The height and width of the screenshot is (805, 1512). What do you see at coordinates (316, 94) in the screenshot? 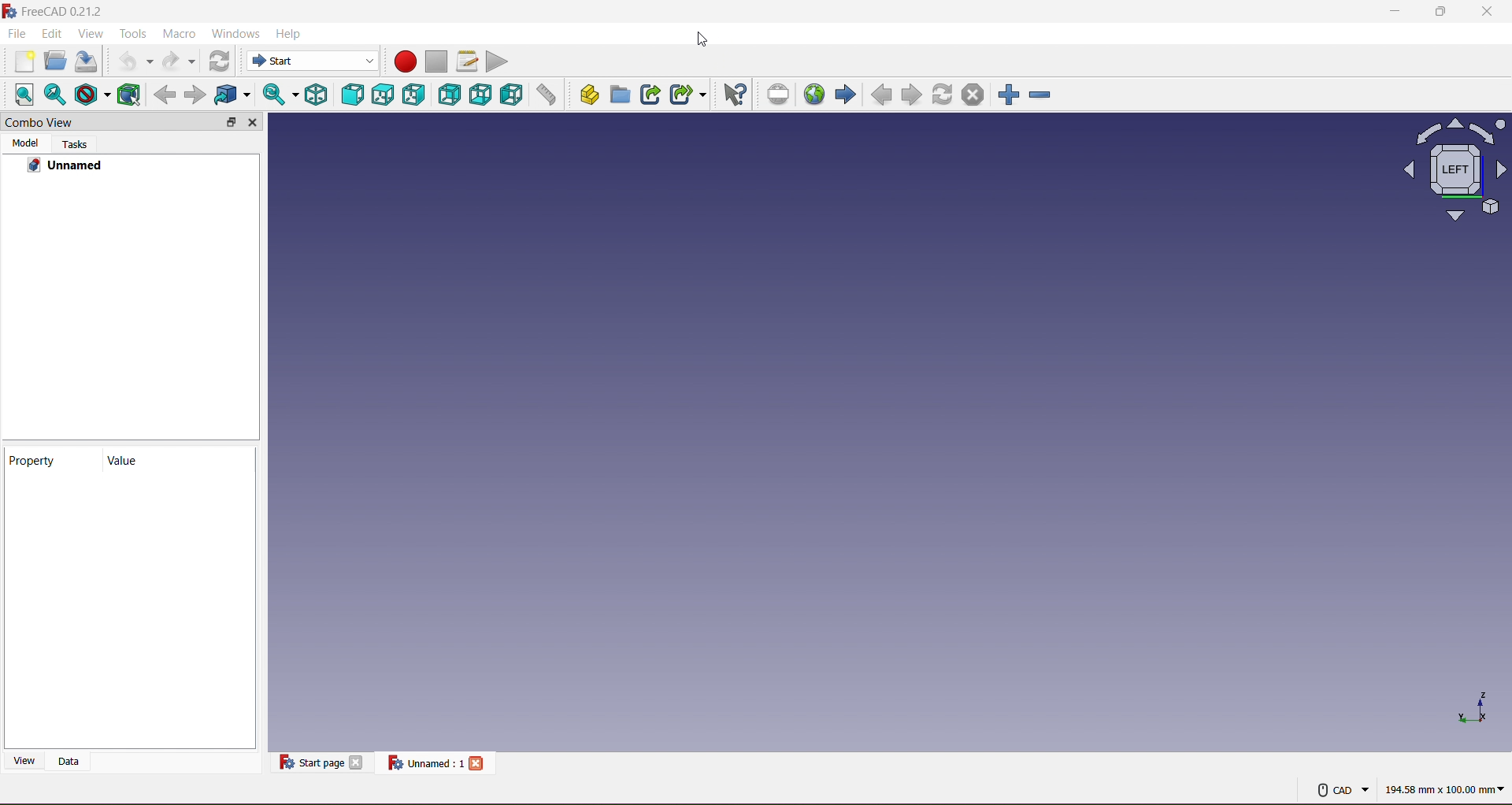
I see `Isometric` at bounding box center [316, 94].